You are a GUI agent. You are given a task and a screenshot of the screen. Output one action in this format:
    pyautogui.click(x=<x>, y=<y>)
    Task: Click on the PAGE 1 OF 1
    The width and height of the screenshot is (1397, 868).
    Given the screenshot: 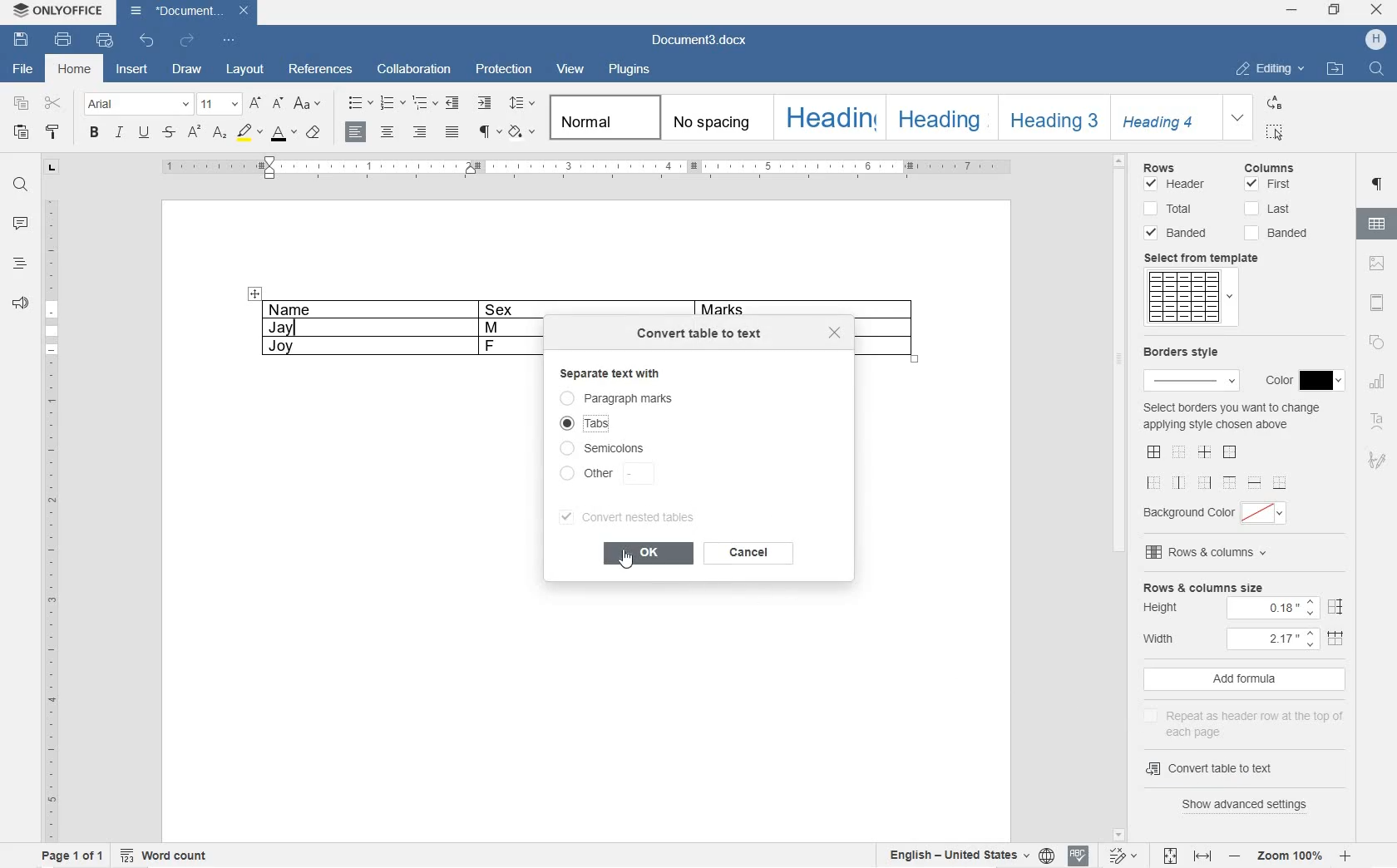 What is the action you would take?
    pyautogui.click(x=71, y=855)
    